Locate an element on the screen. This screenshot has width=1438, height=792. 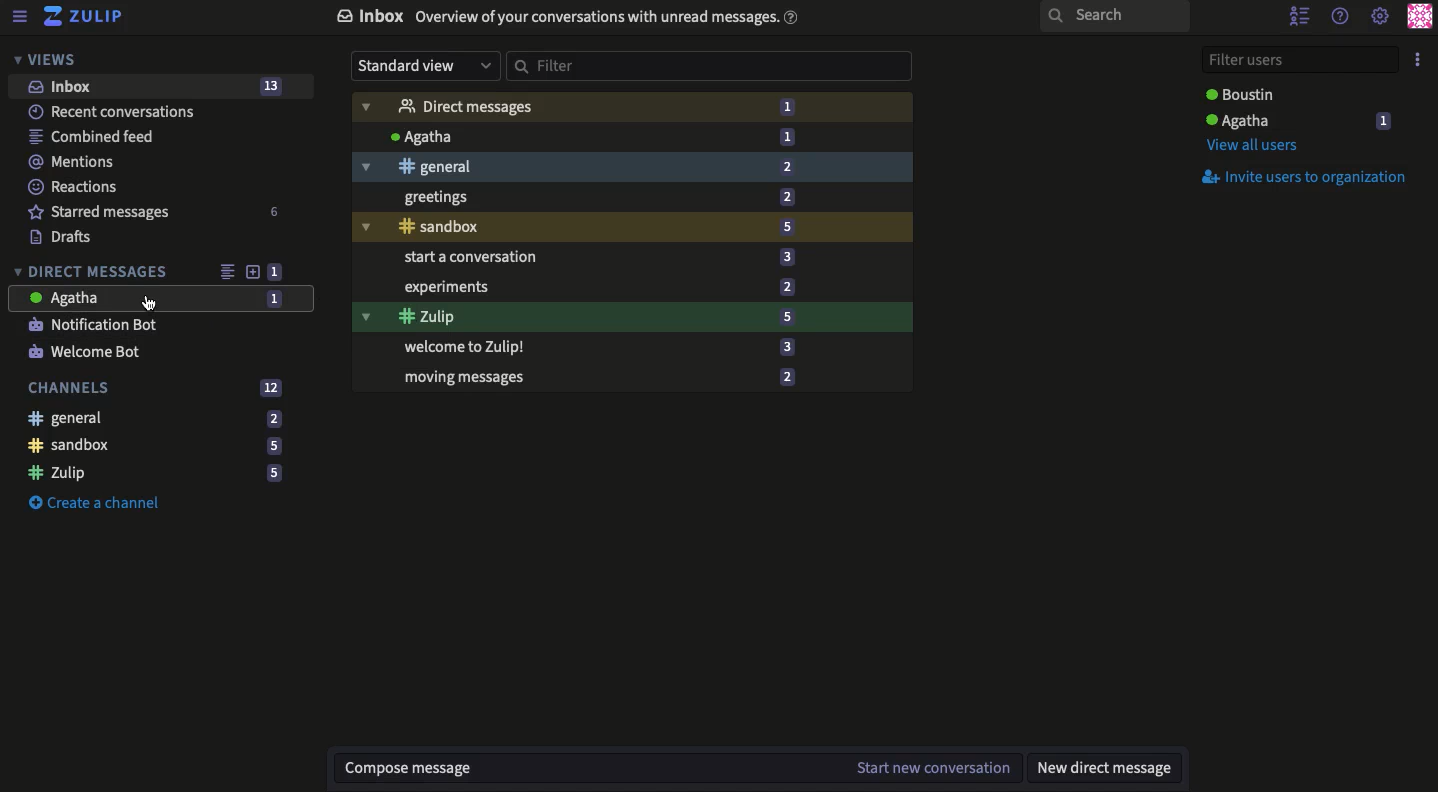
Recent conversations is located at coordinates (119, 111).